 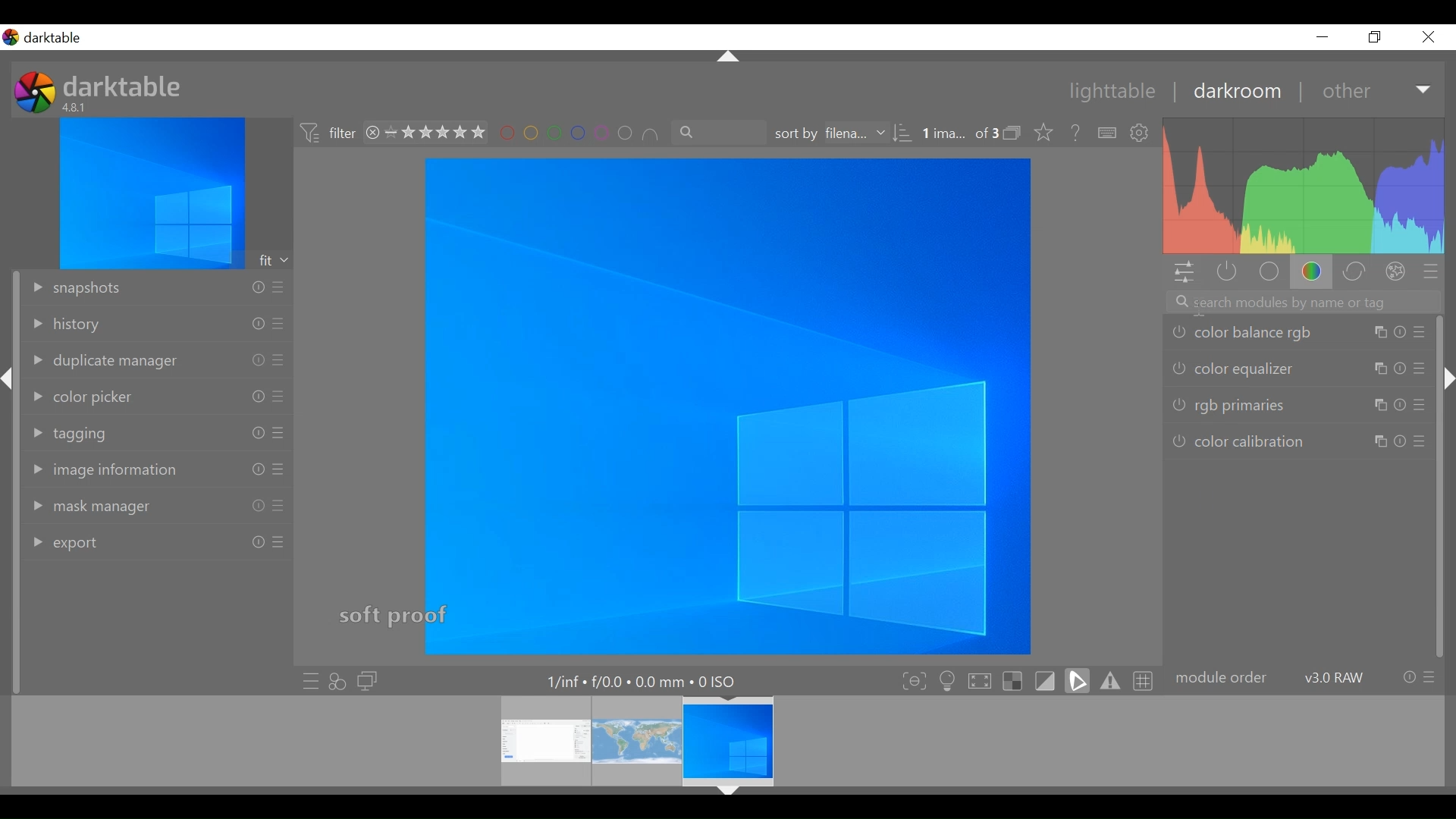 I want to click on help, so click(x=1071, y=133).